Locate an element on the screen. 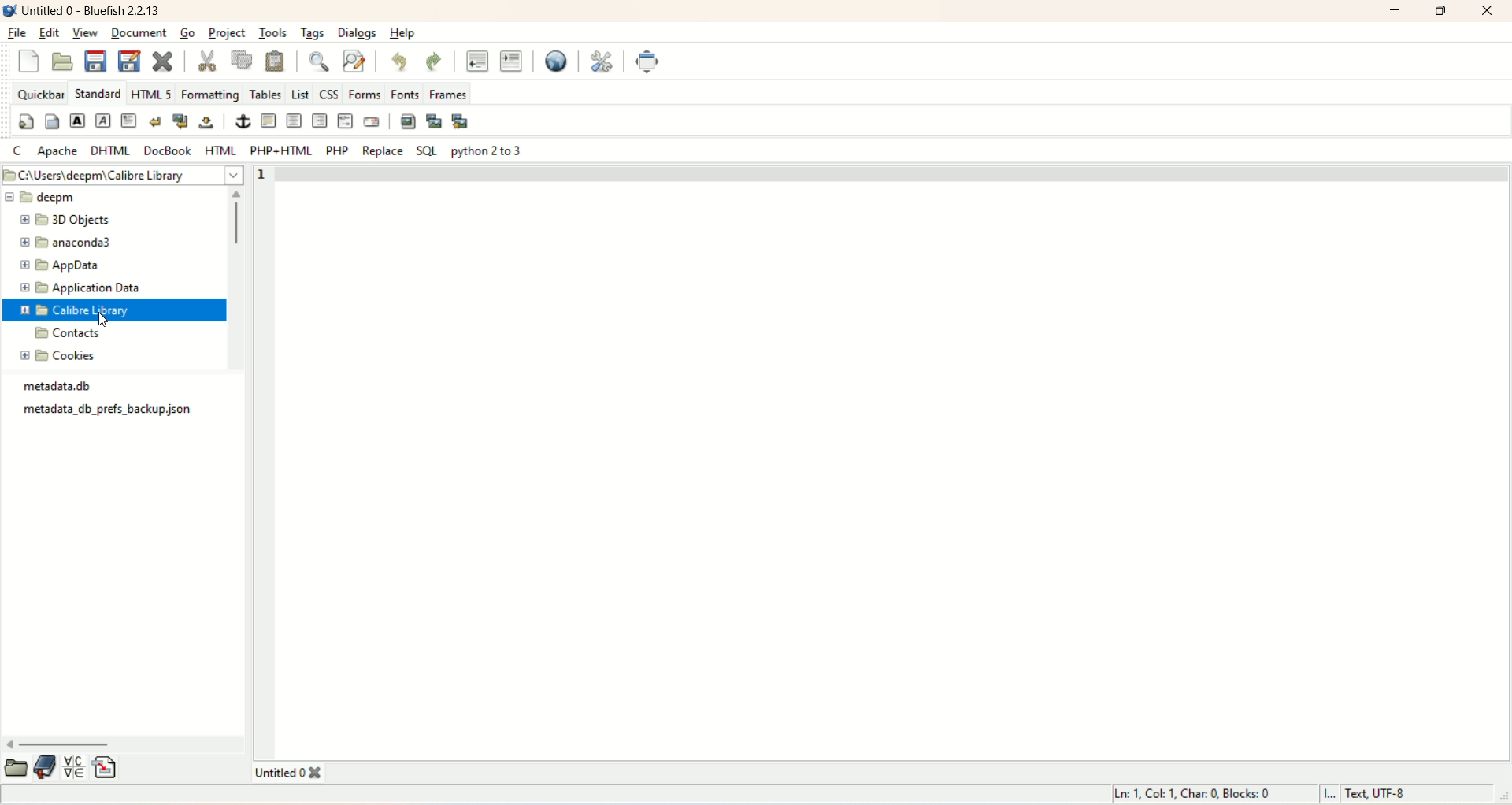 Image resolution: width=1512 pixels, height=805 pixels. quickbar is located at coordinates (39, 95).